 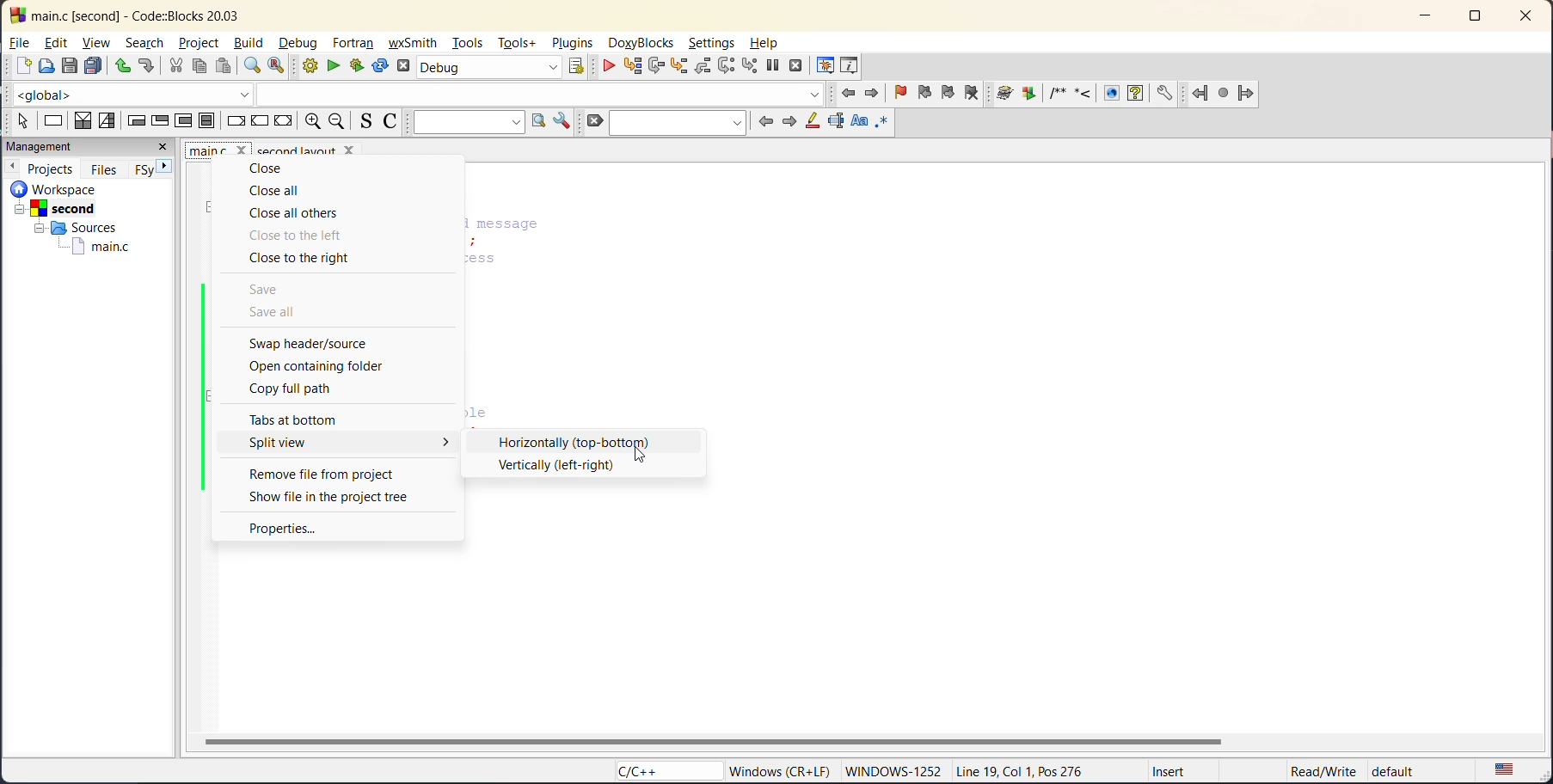 I want to click on close to the right, so click(x=312, y=260).